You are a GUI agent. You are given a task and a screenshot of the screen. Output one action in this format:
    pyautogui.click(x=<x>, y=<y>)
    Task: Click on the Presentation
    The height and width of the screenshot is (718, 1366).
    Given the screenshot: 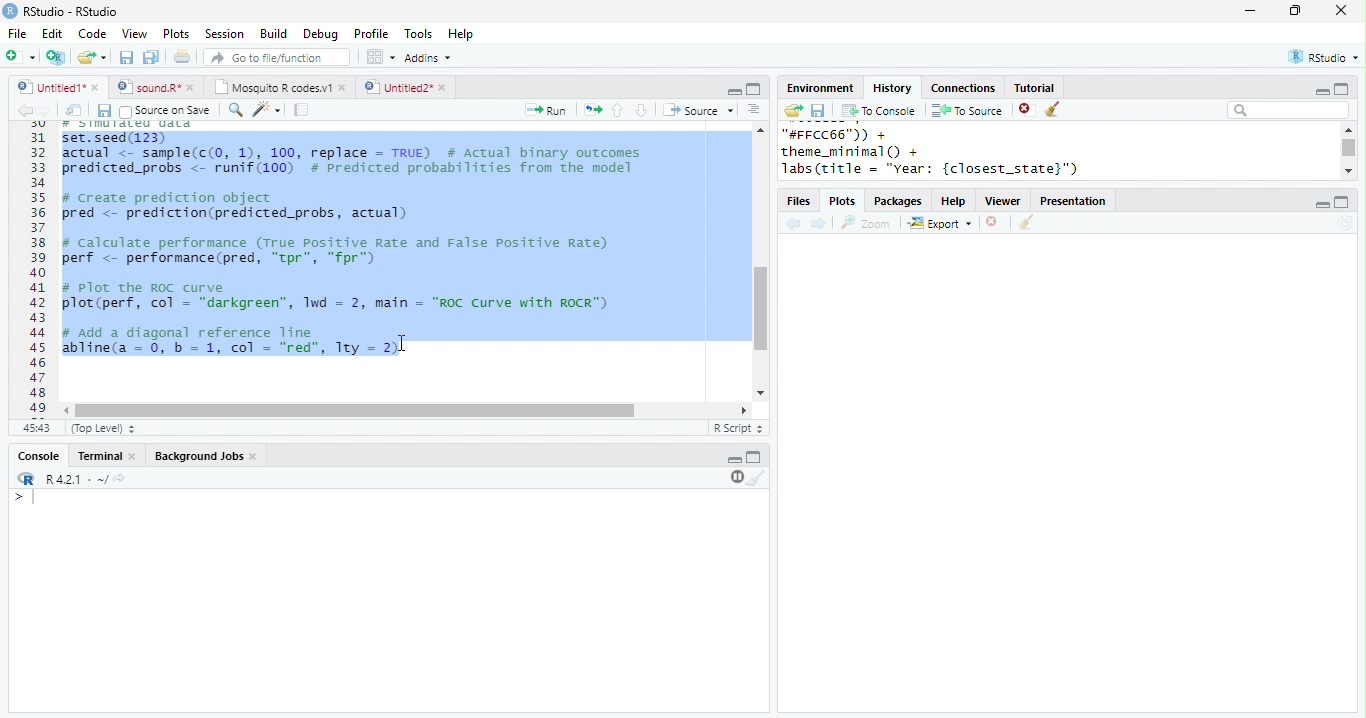 What is the action you would take?
    pyautogui.click(x=1073, y=201)
    